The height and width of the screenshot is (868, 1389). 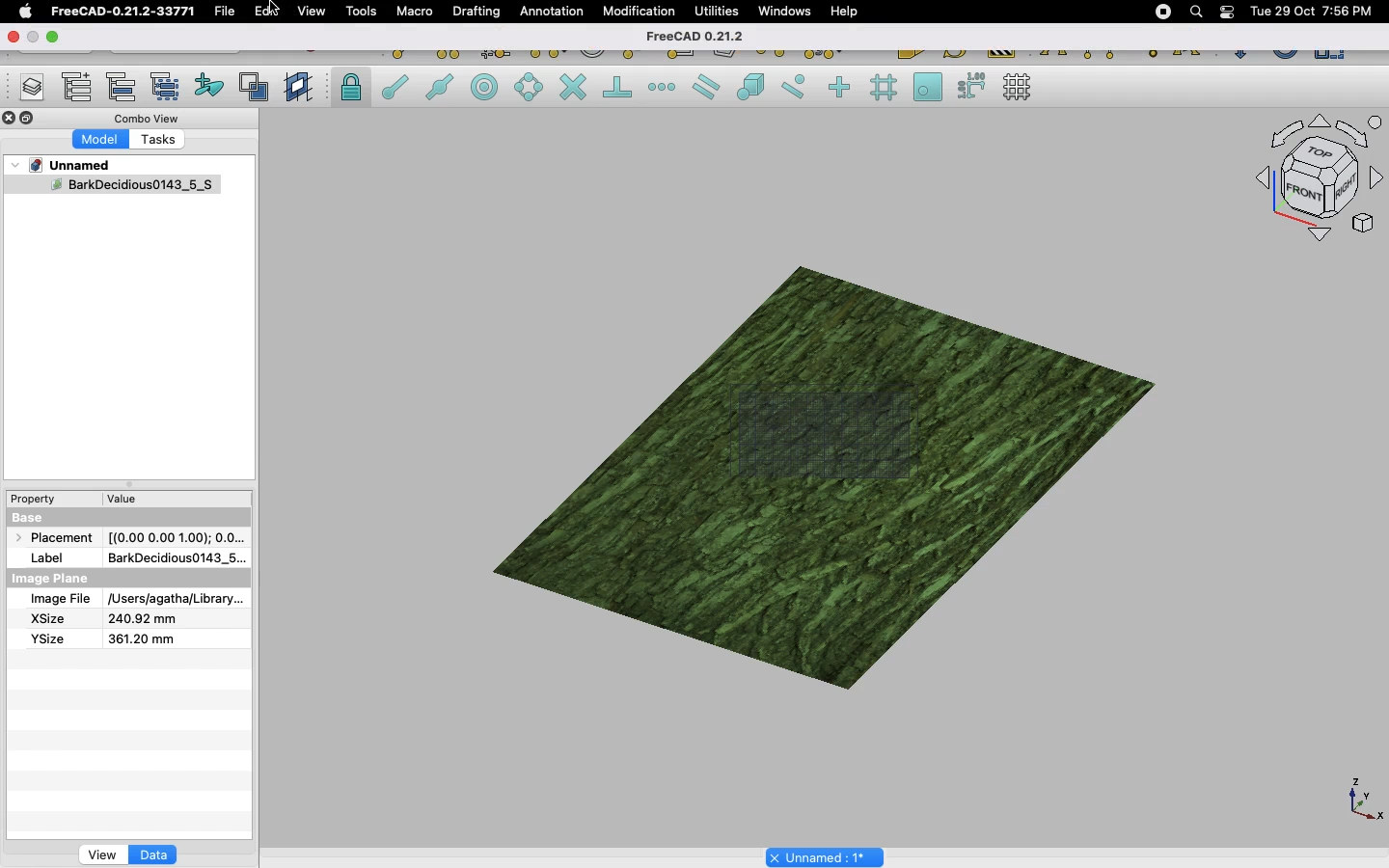 What do you see at coordinates (1311, 10) in the screenshot?
I see `Date/time` at bounding box center [1311, 10].